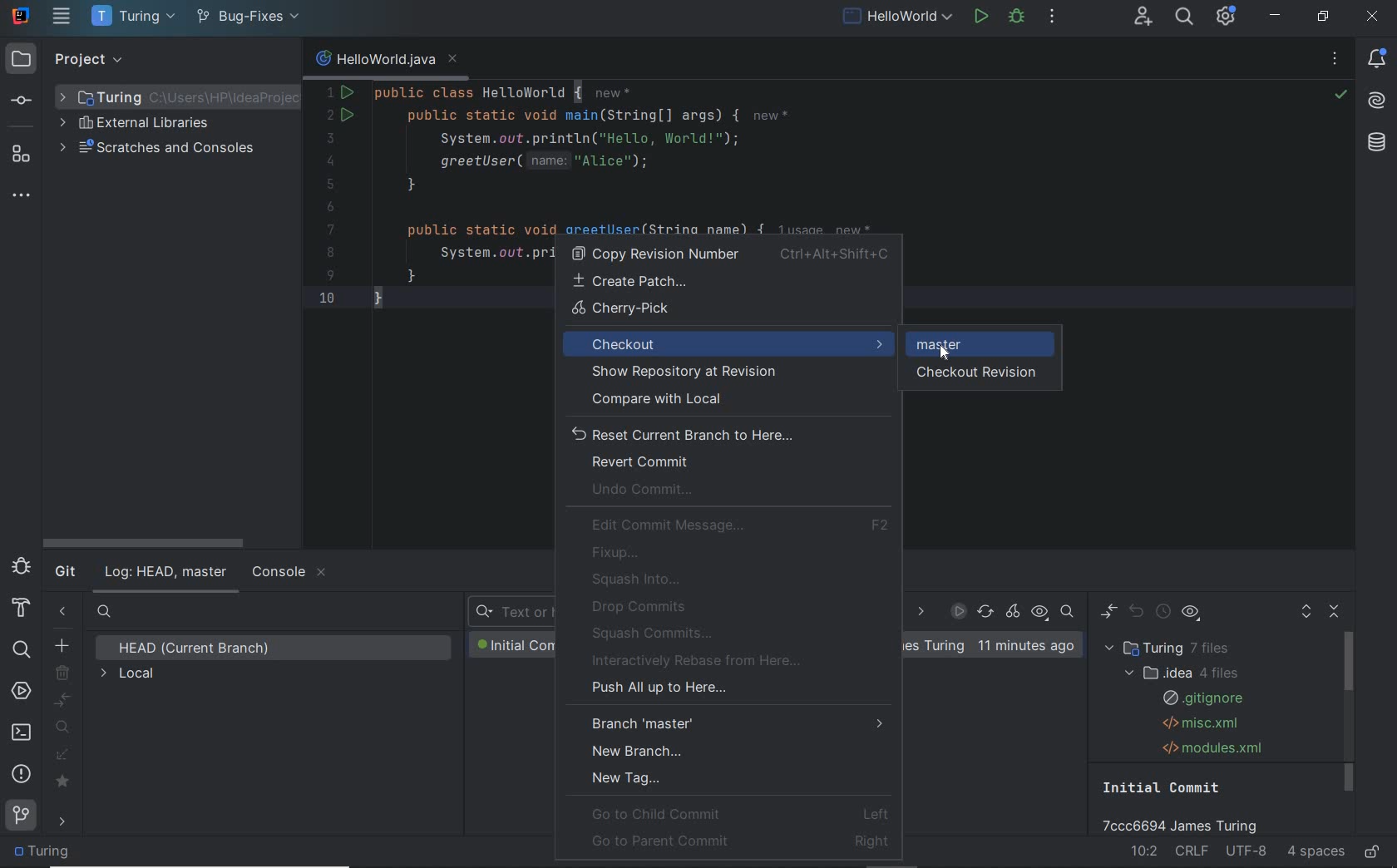  I want to click on project name, so click(131, 17).